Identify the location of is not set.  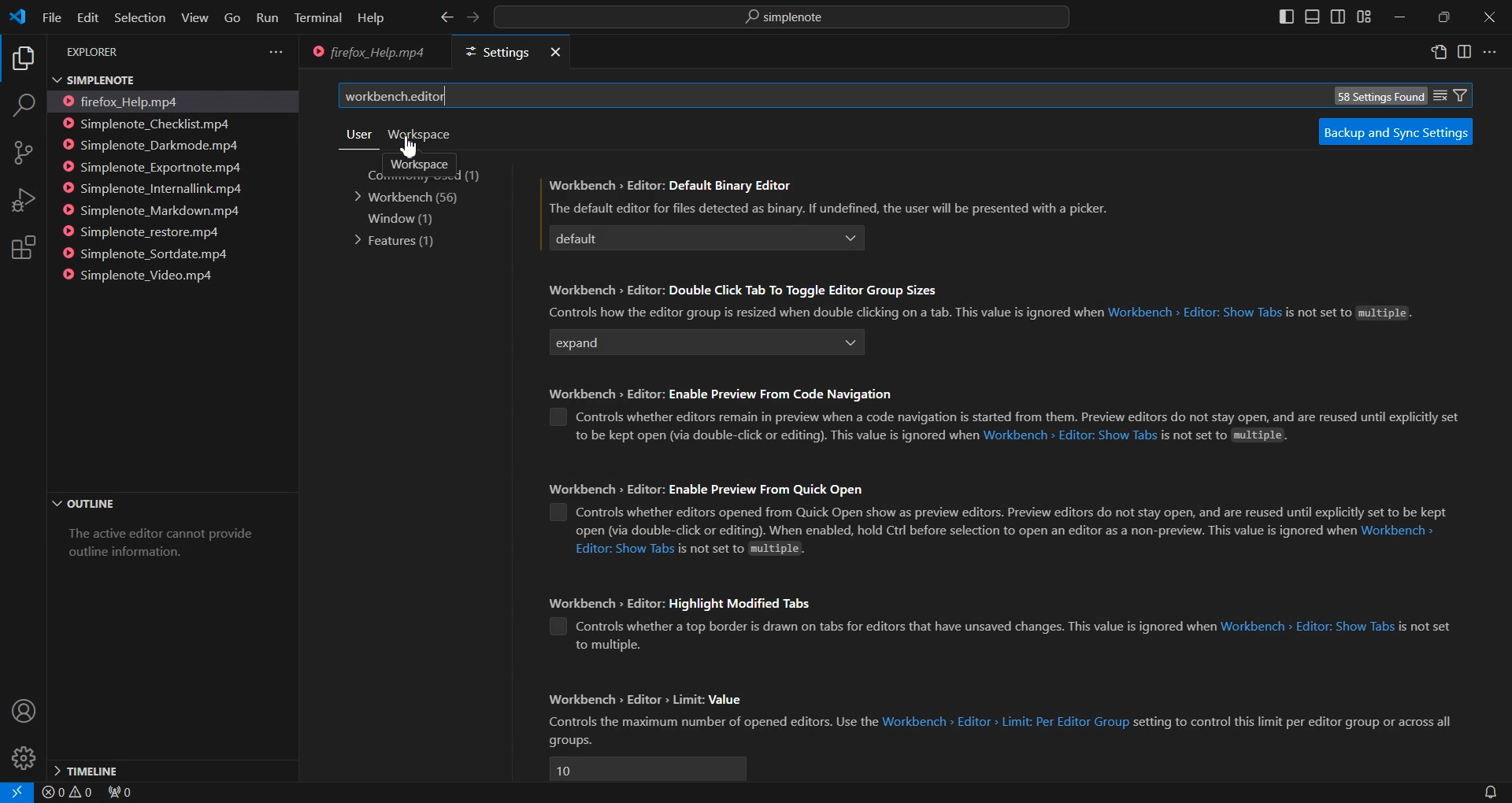
(1425, 627).